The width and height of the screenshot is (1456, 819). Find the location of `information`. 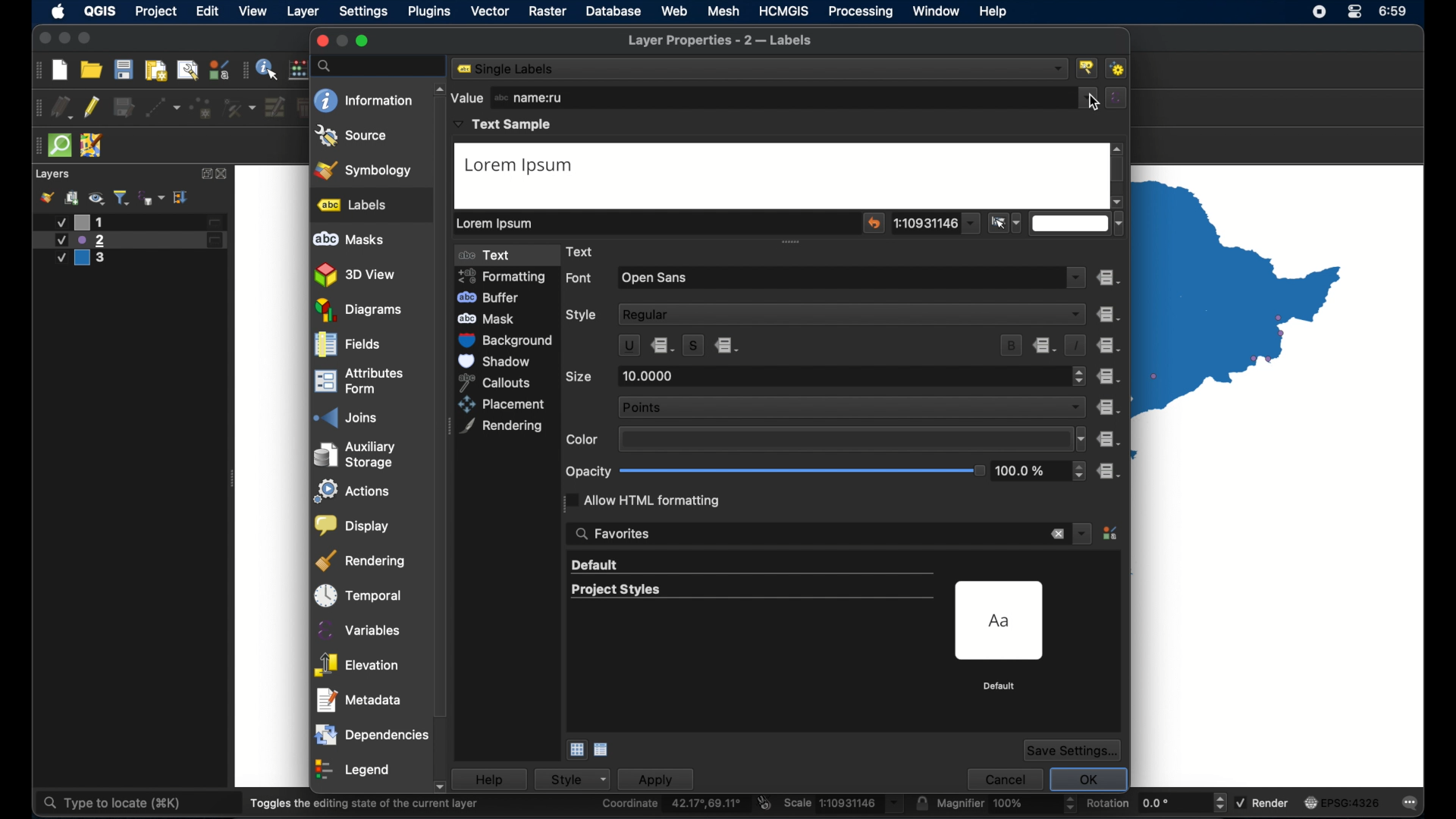

information is located at coordinates (363, 100).